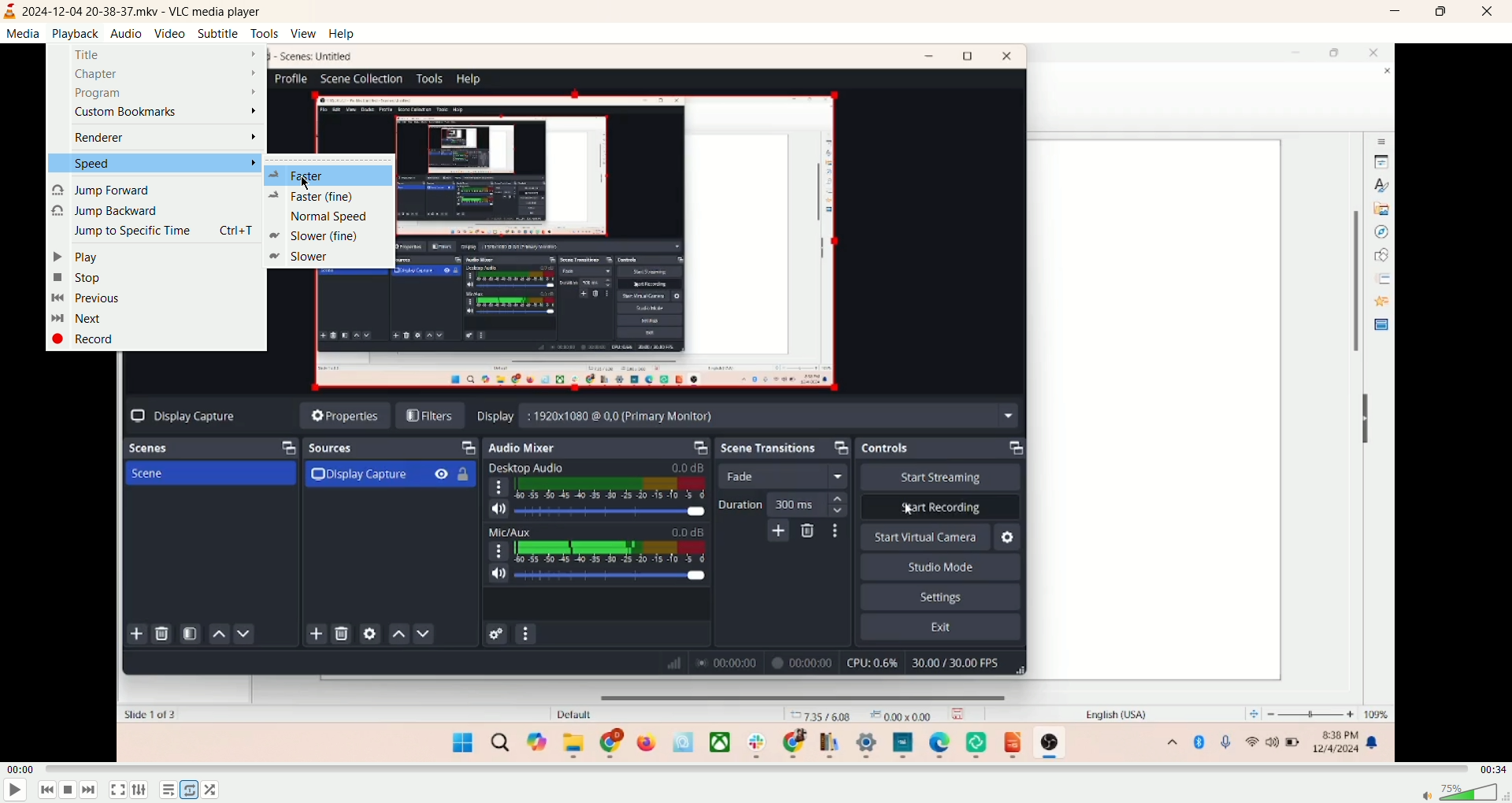  Describe the element at coordinates (332, 217) in the screenshot. I see `normal speed` at that location.